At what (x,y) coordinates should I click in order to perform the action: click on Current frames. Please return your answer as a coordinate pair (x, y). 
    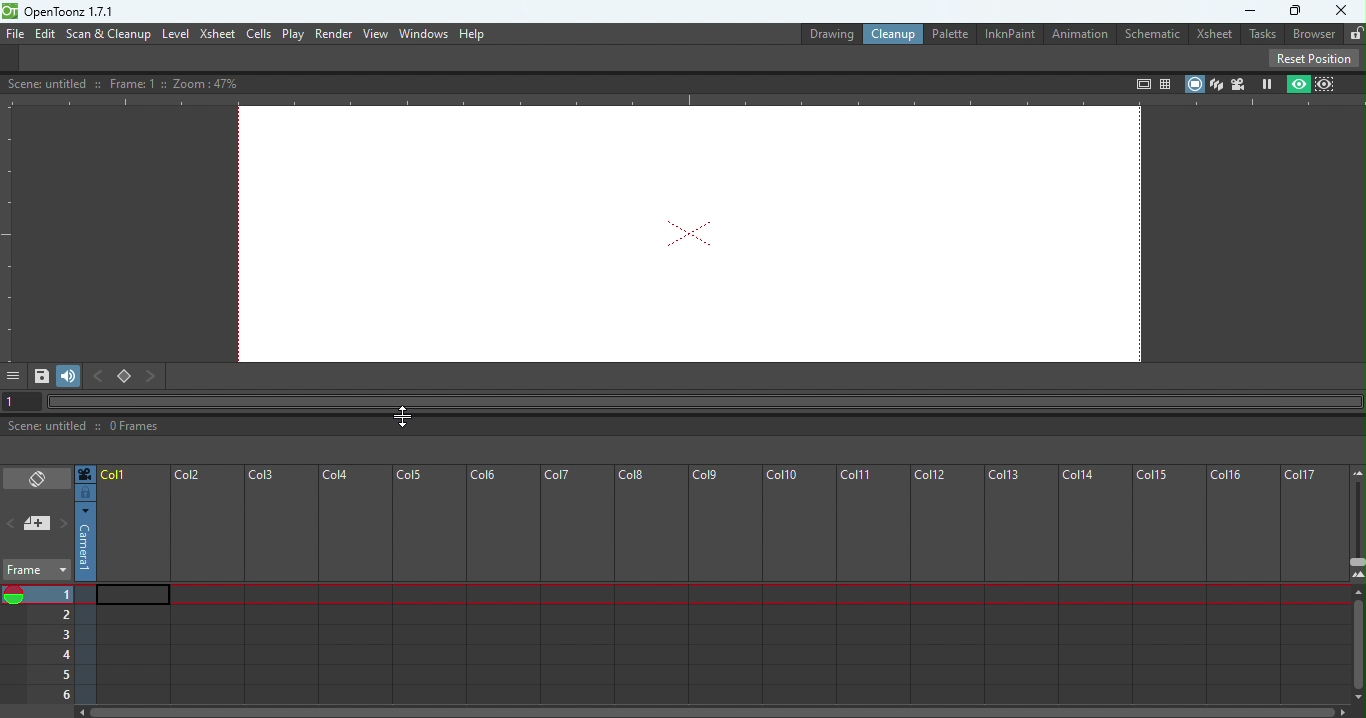
    Looking at the image, I should click on (38, 652).